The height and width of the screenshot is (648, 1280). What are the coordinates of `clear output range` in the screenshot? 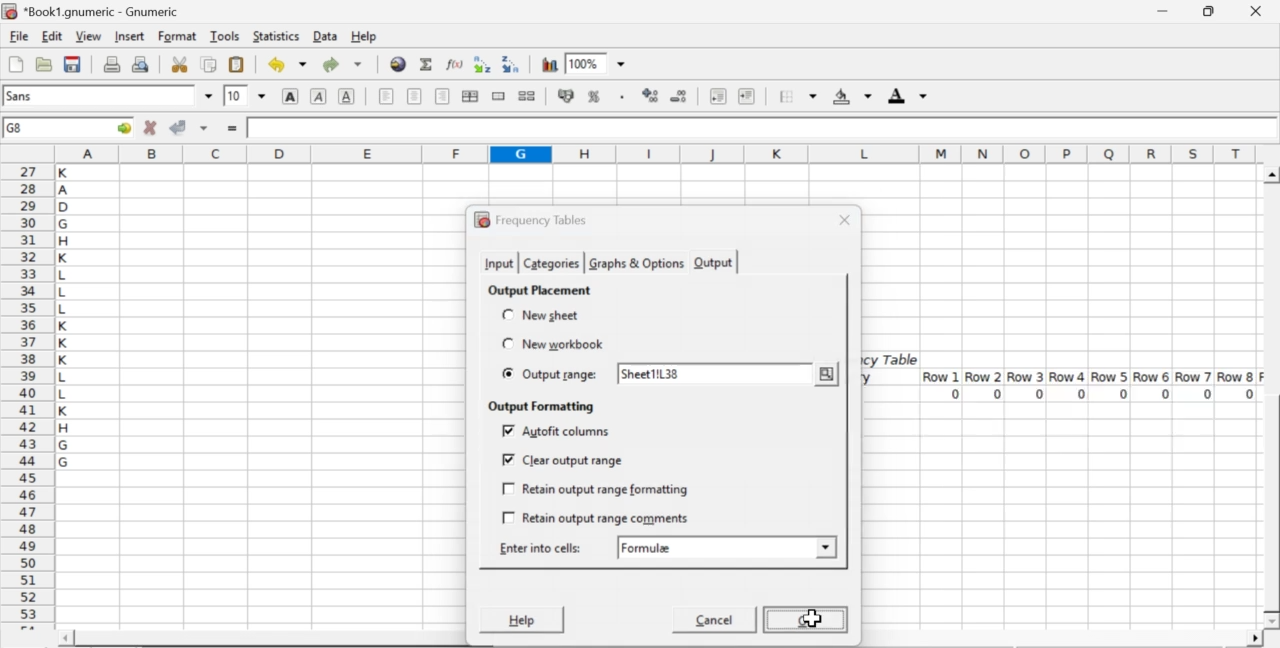 It's located at (562, 460).